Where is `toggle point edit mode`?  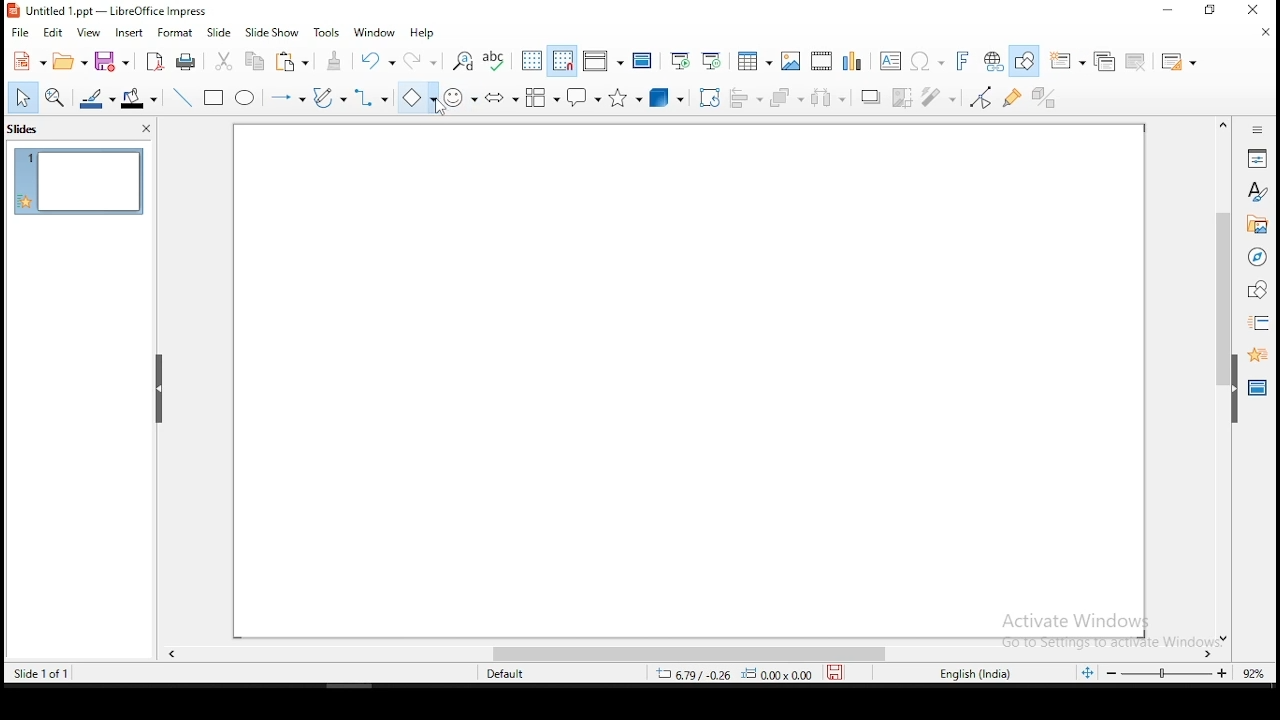
toggle point edit mode is located at coordinates (982, 97).